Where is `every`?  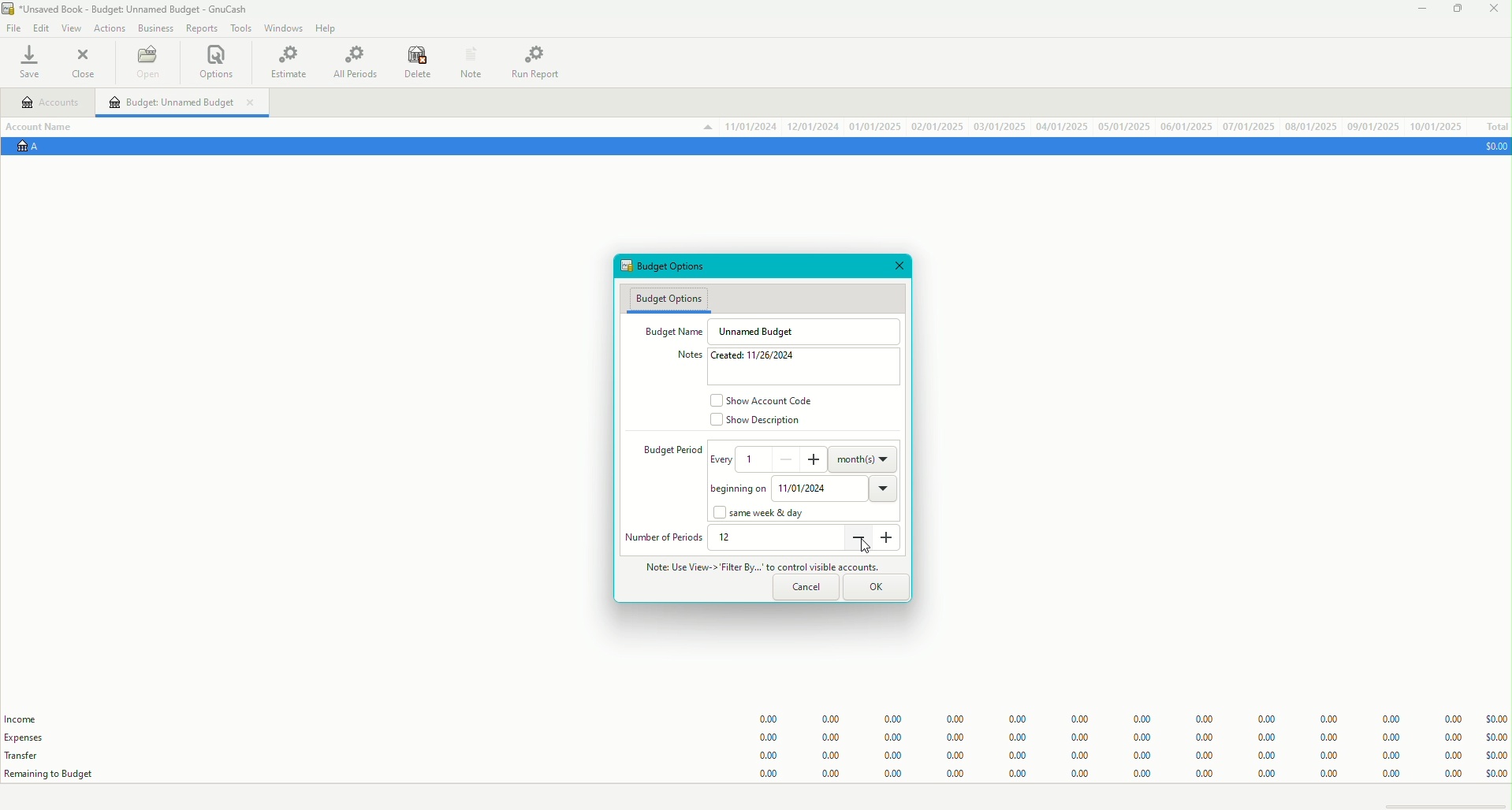
every is located at coordinates (723, 464).